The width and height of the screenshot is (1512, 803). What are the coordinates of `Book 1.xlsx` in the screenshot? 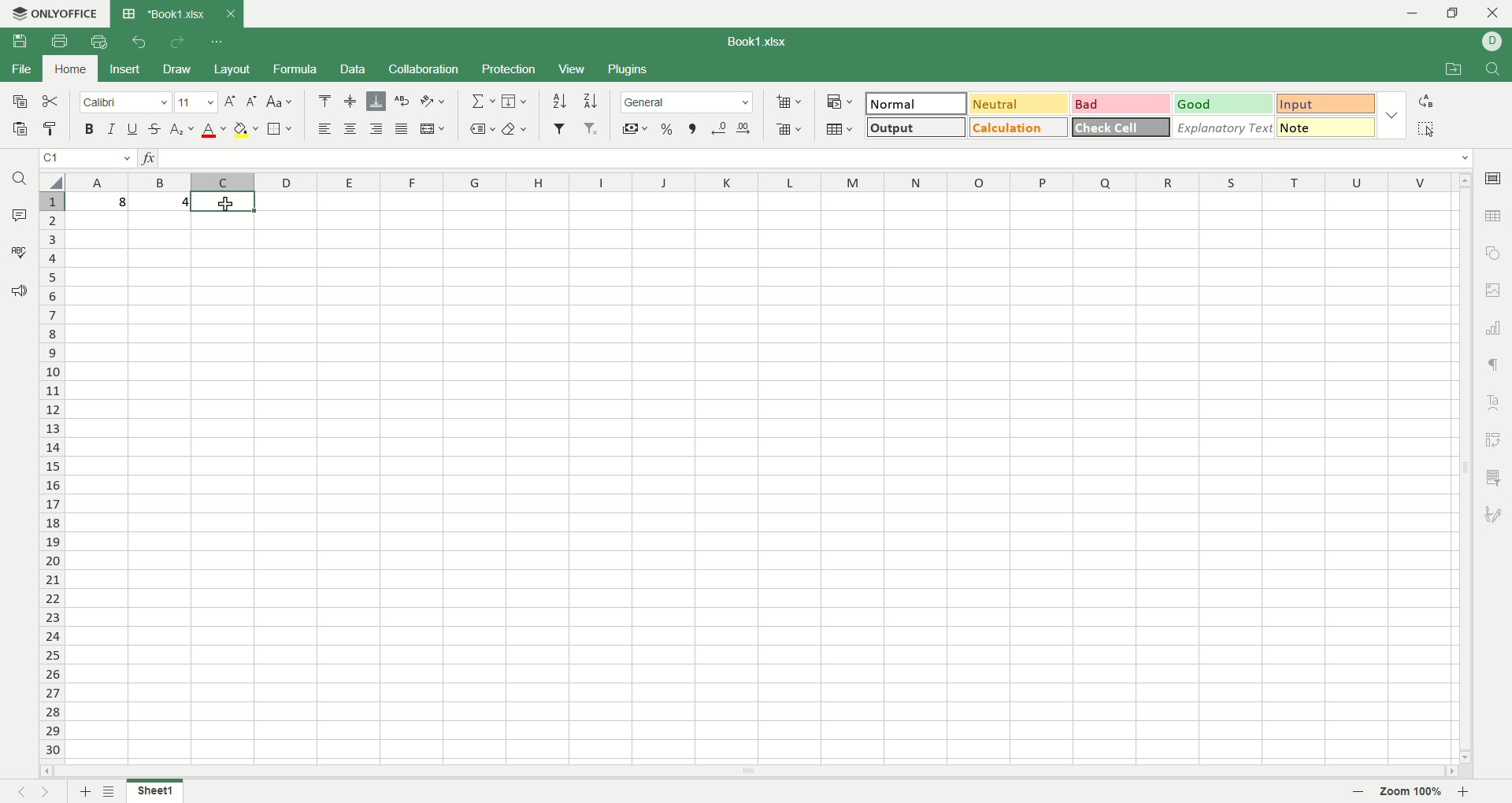 It's located at (161, 13).